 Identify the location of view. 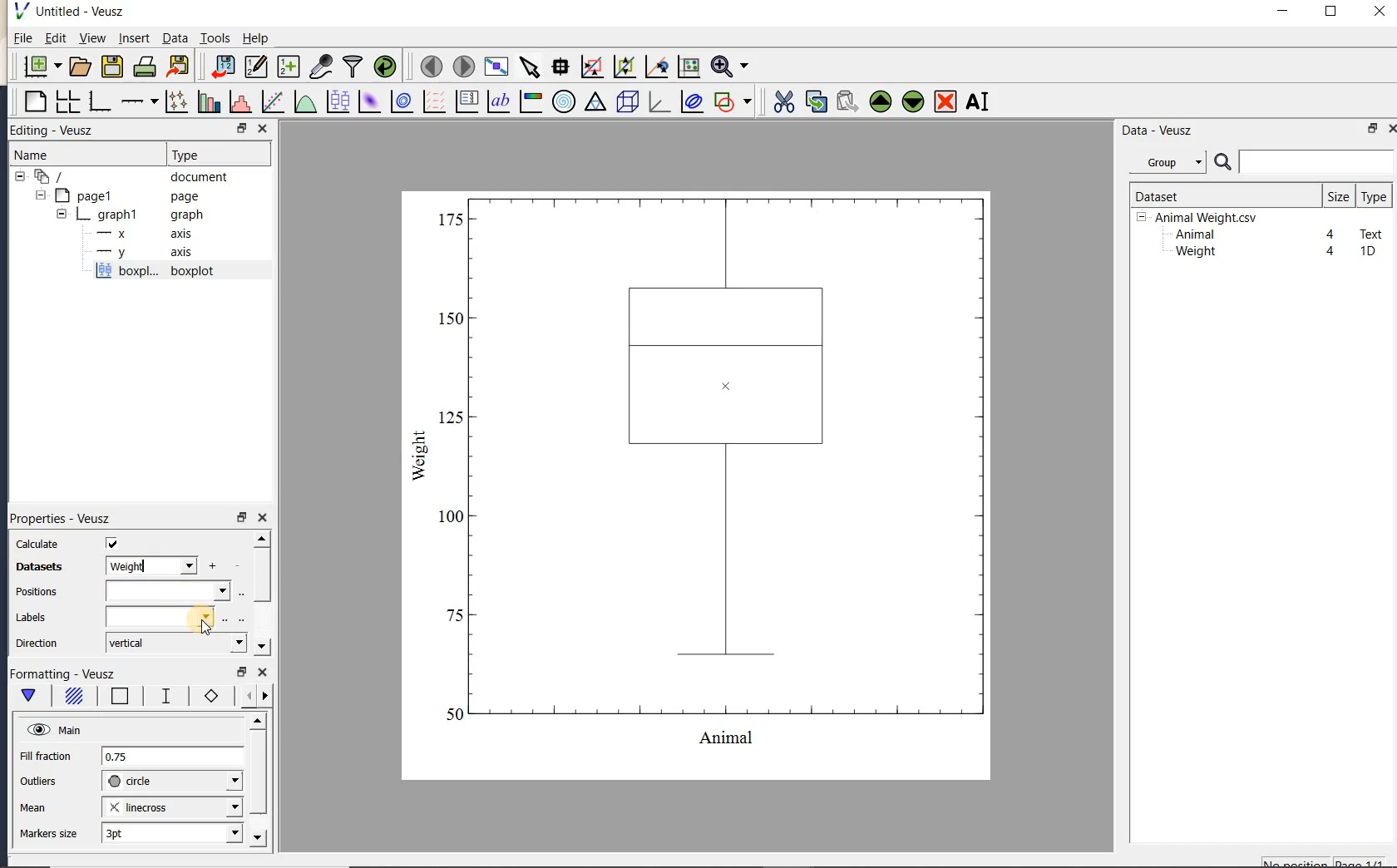
(91, 40).